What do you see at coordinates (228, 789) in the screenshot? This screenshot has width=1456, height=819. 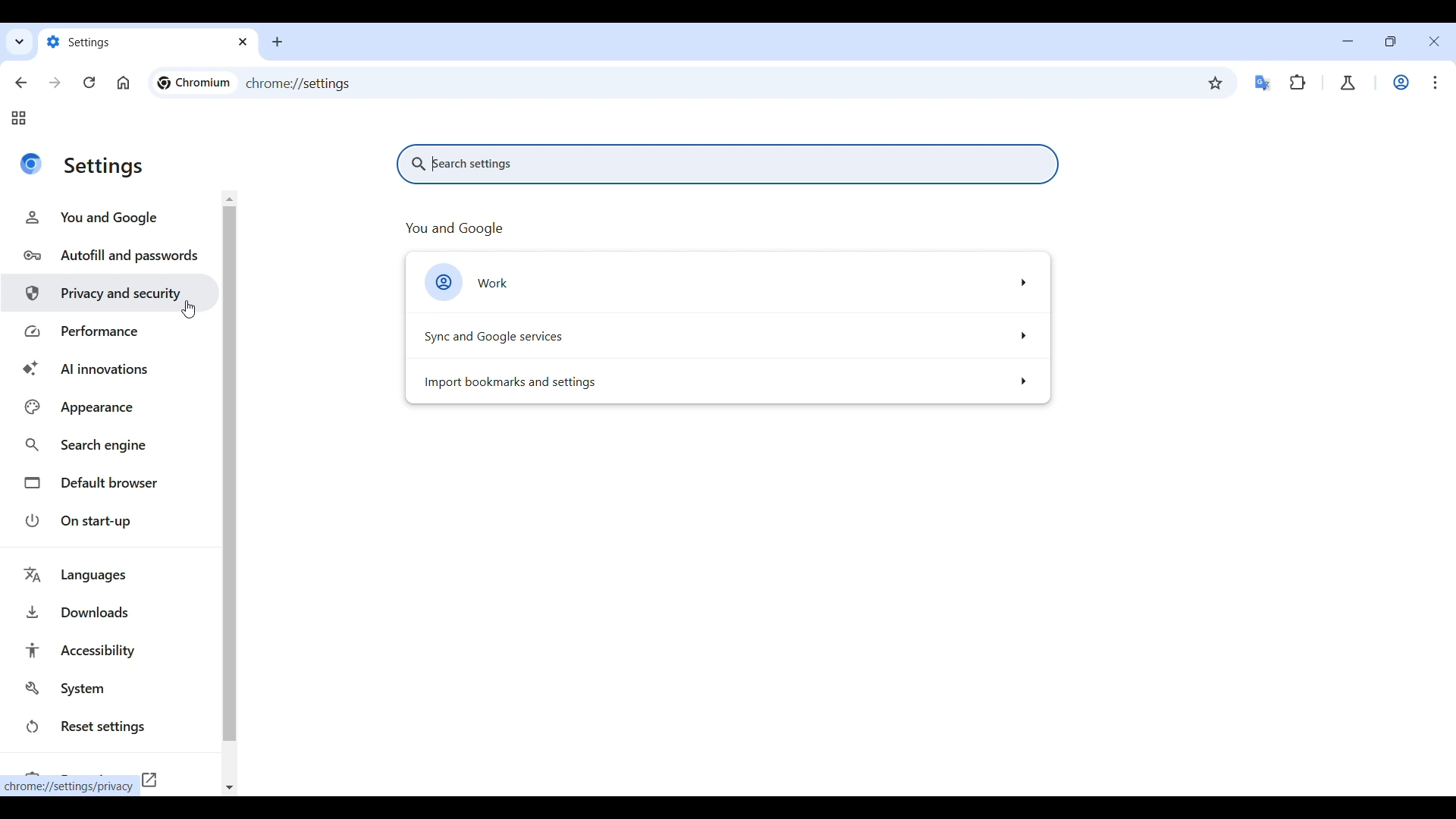 I see `Quick slide to bottom` at bounding box center [228, 789].